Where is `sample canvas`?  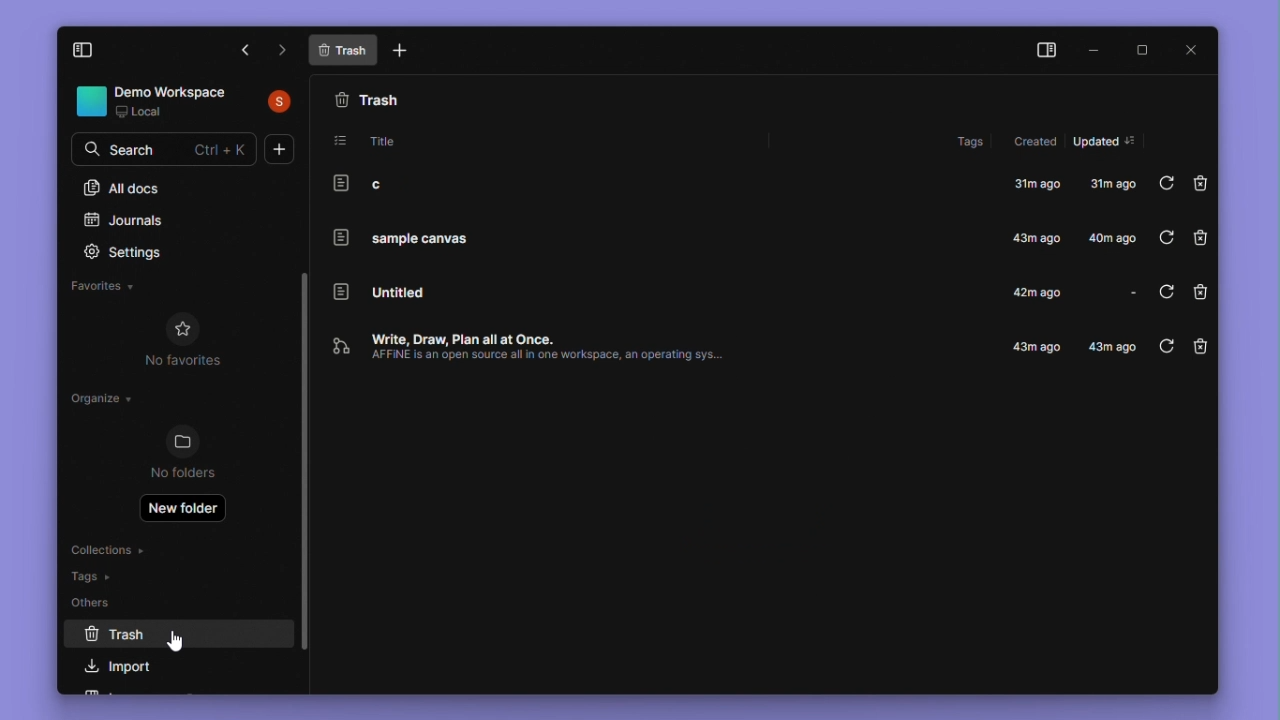 sample canvas is located at coordinates (396, 237).